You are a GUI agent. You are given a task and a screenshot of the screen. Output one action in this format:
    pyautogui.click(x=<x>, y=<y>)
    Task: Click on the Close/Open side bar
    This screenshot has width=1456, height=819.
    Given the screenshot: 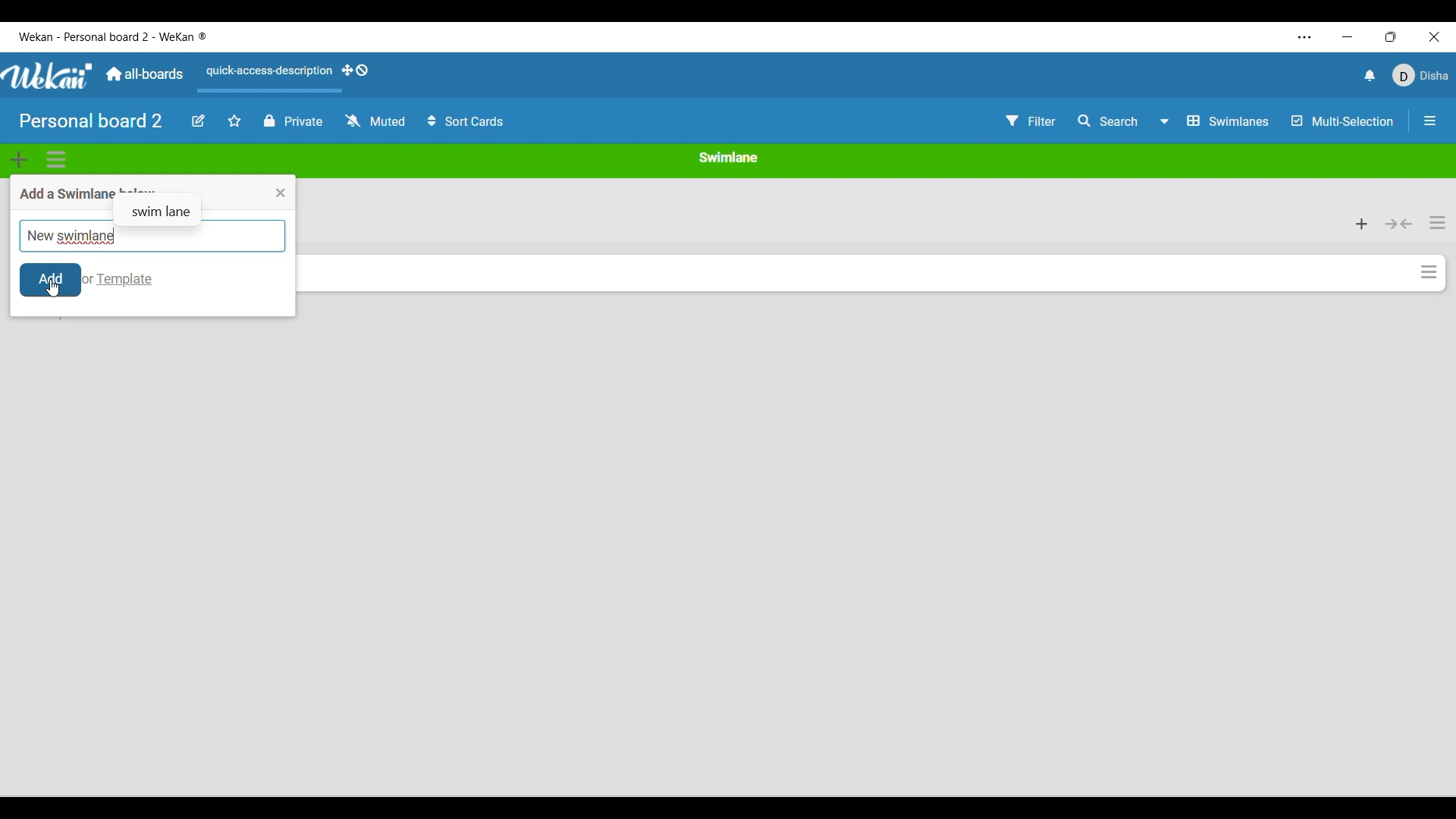 What is the action you would take?
    pyautogui.click(x=1429, y=121)
    